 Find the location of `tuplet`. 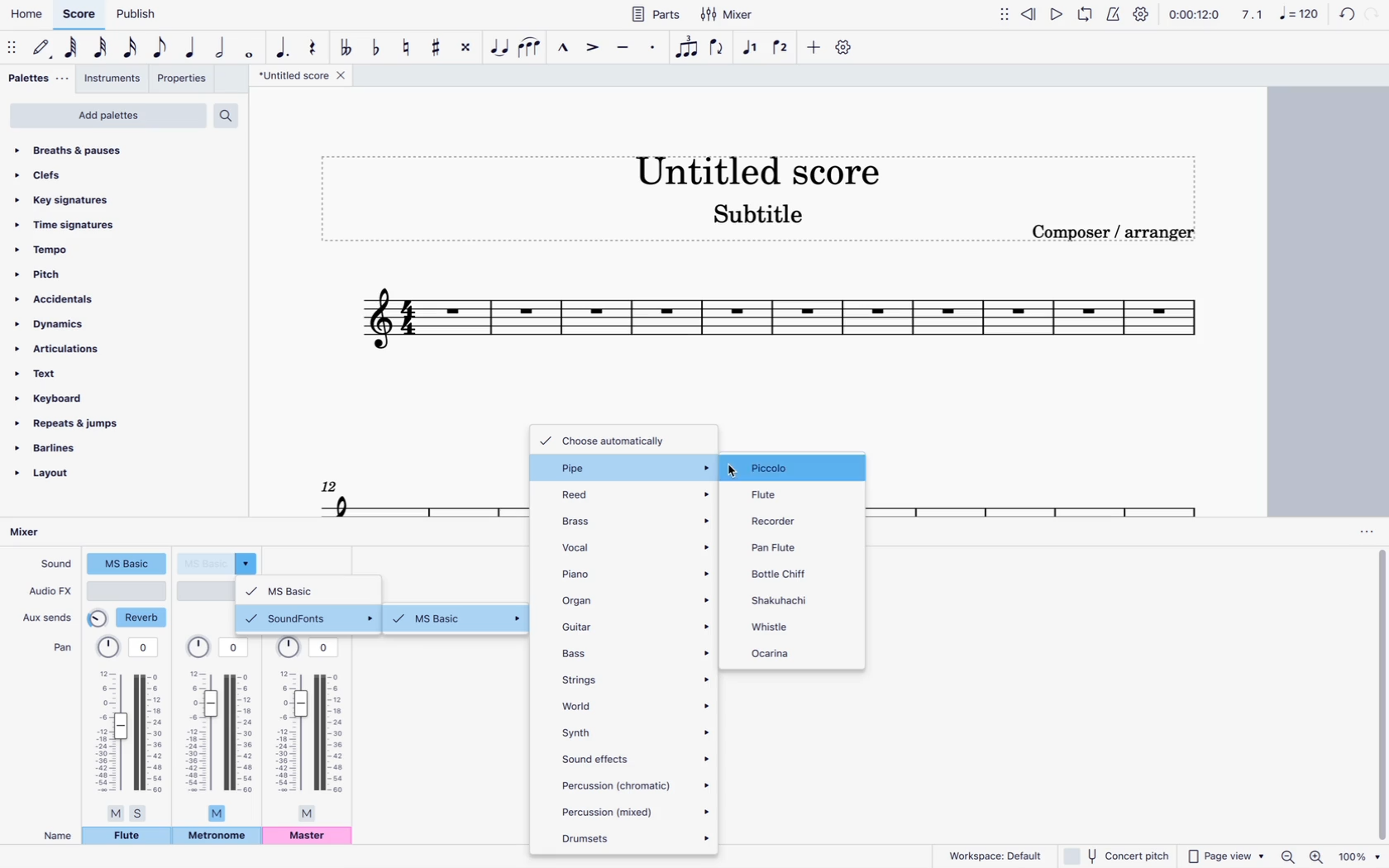

tuplet is located at coordinates (686, 48).